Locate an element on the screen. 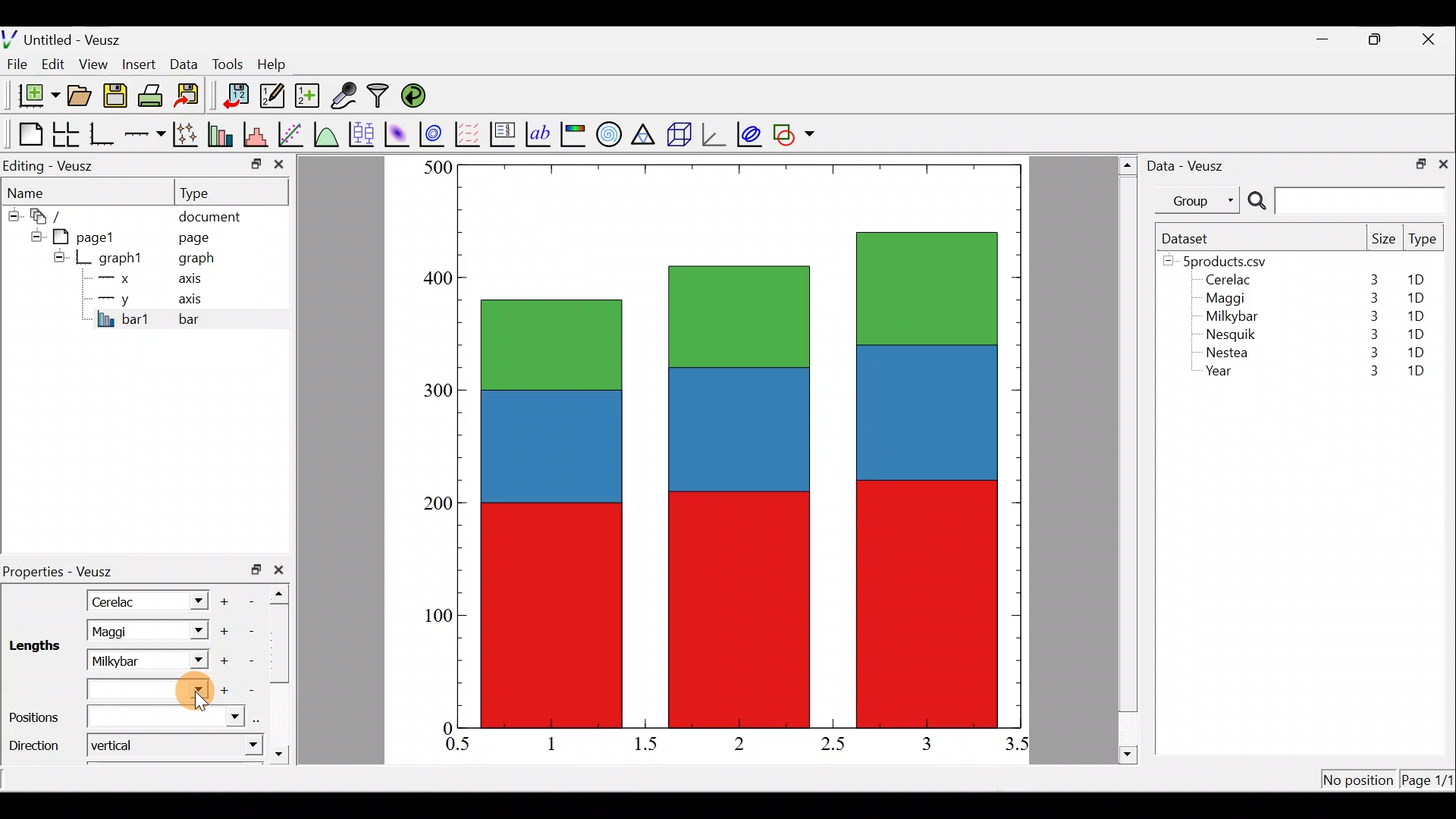 This screenshot has width=1456, height=819. 3 is located at coordinates (1370, 298).